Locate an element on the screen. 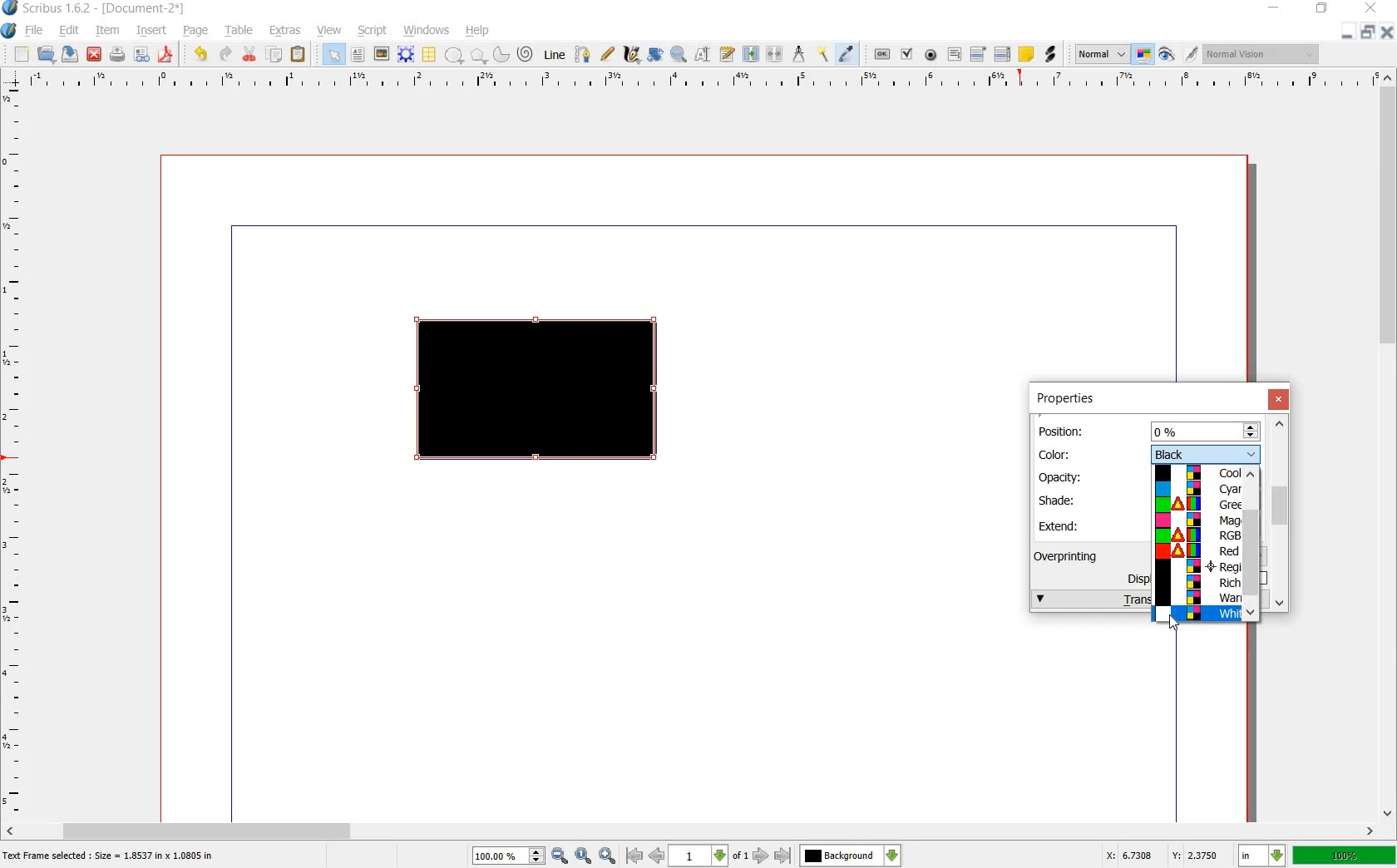 This screenshot has height=868, width=1397. polygon is located at coordinates (476, 55).